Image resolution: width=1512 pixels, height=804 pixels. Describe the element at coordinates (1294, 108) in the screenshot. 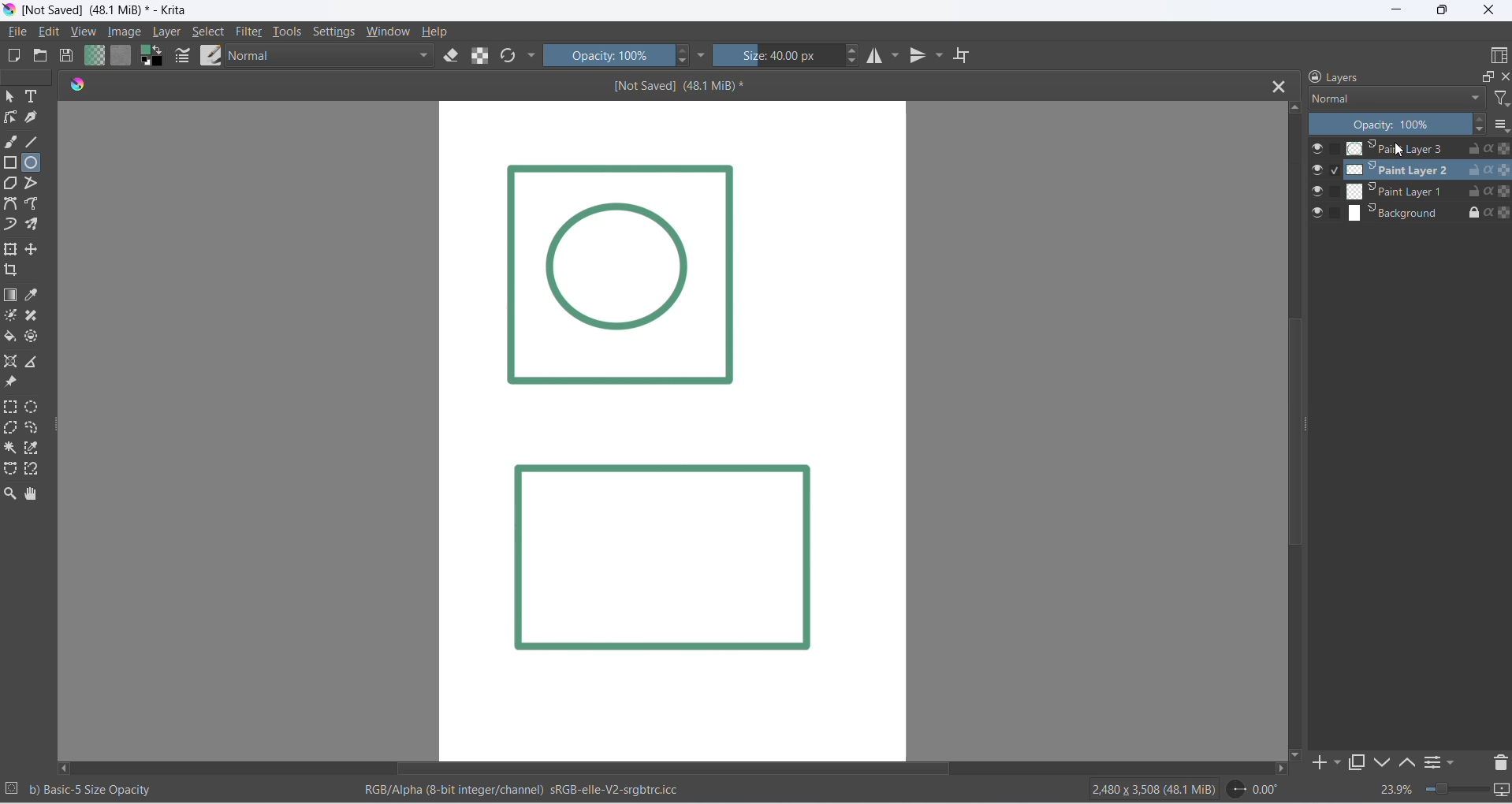

I see `move up button` at that location.